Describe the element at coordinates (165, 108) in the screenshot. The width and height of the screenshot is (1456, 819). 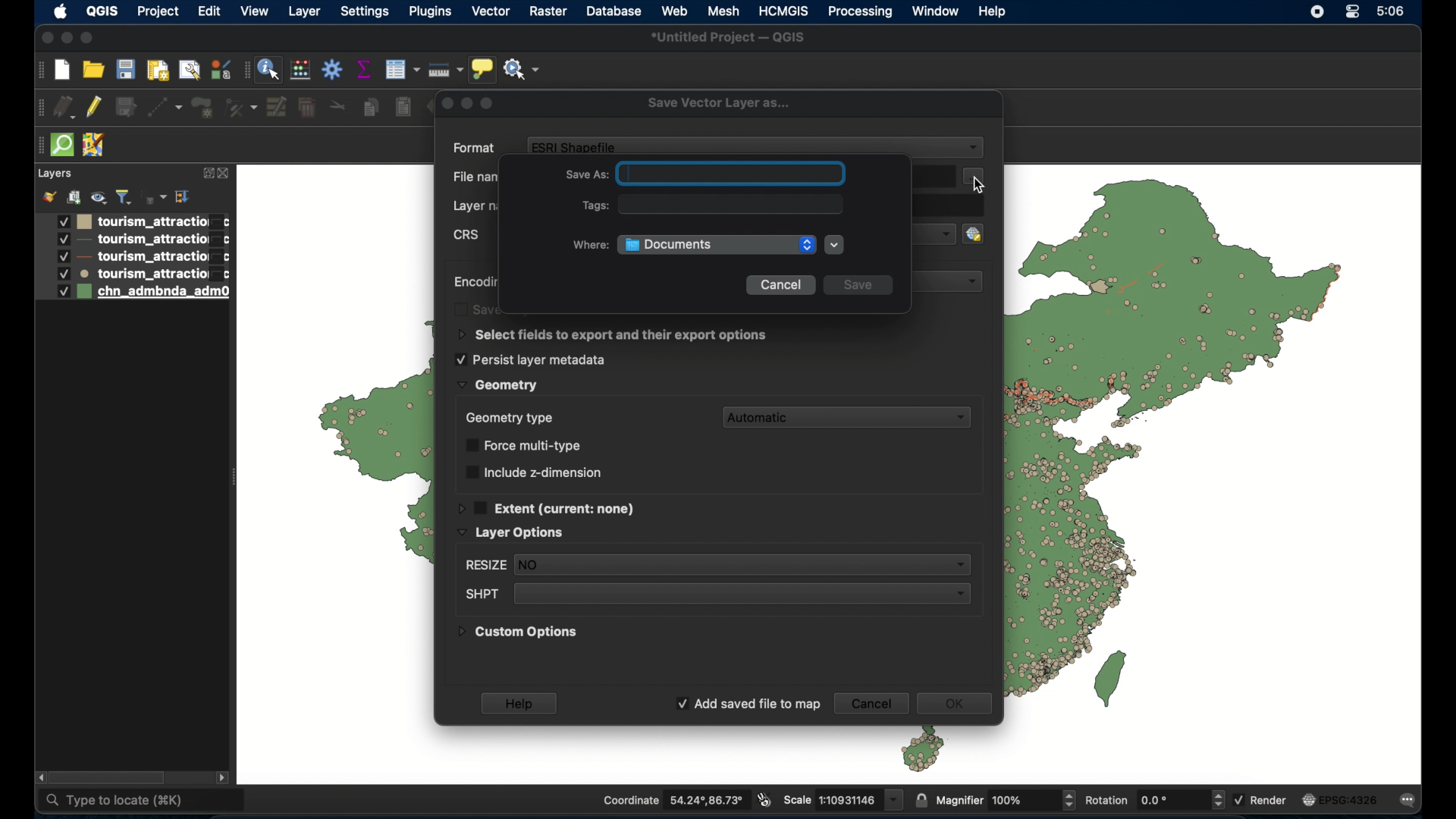
I see `digitize with segment` at that location.